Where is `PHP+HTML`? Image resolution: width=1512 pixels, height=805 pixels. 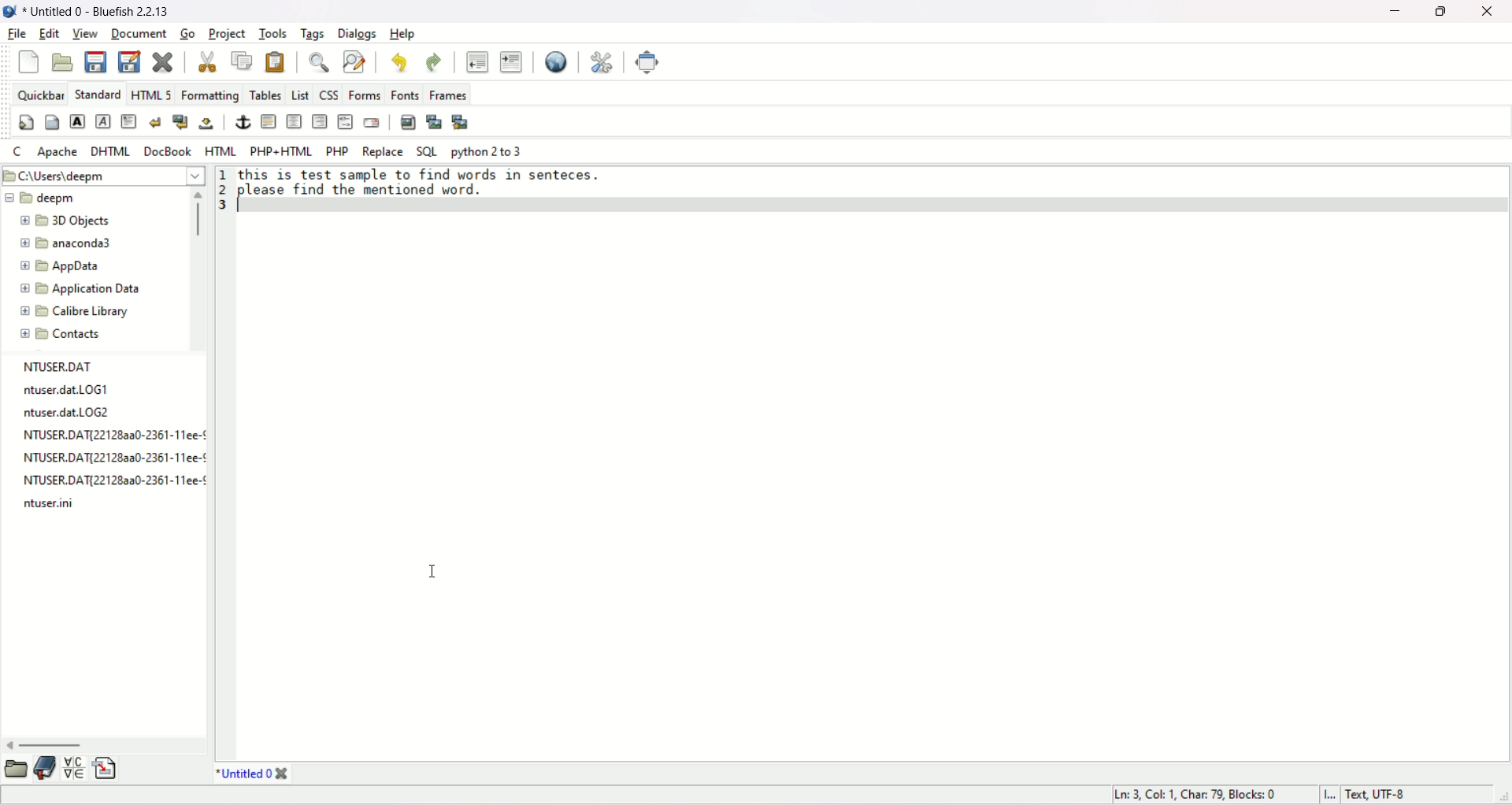 PHP+HTML is located at coordinates (281, 151).